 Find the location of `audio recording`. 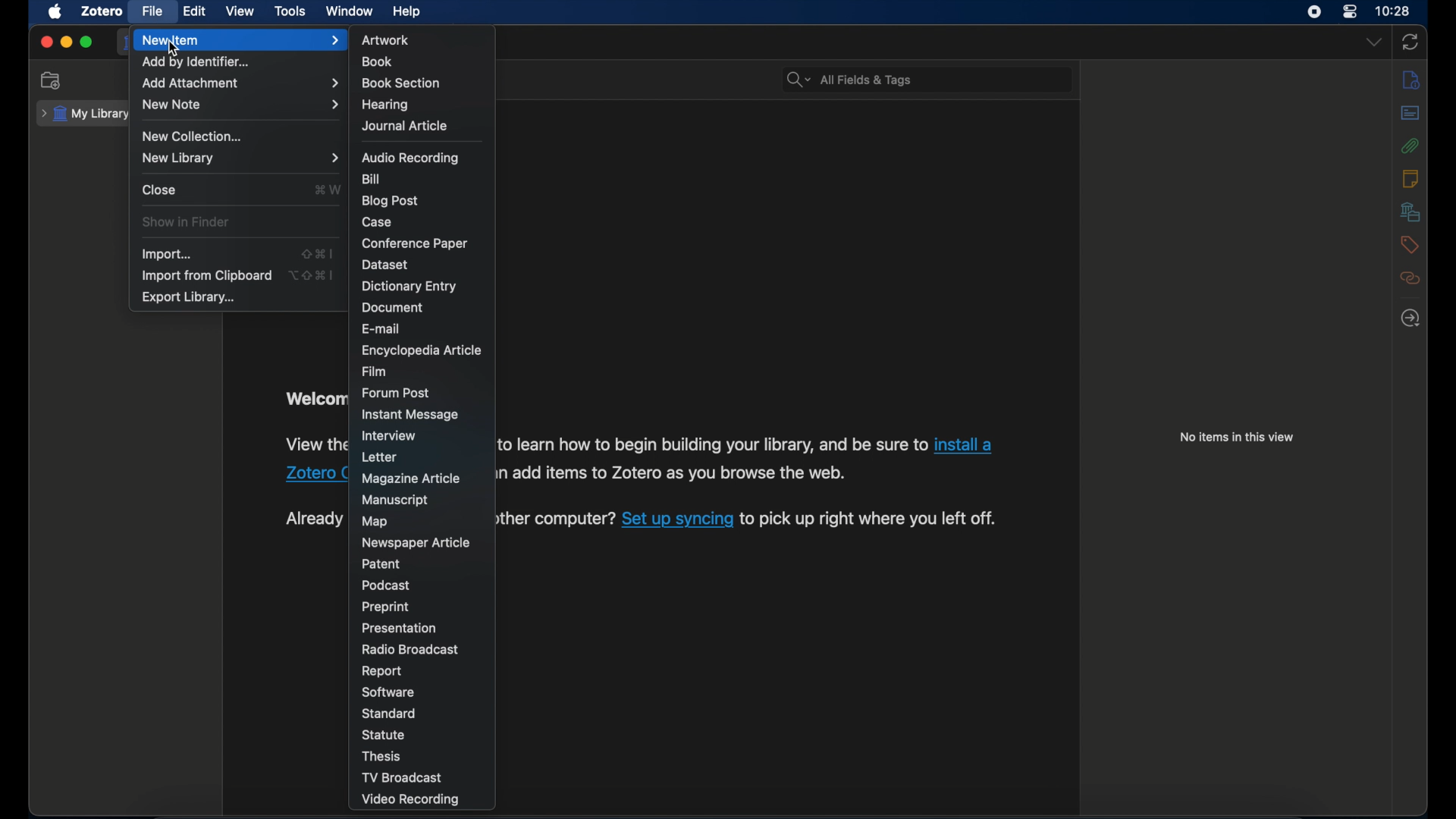

audio recording is located at coordinates (413, 158).